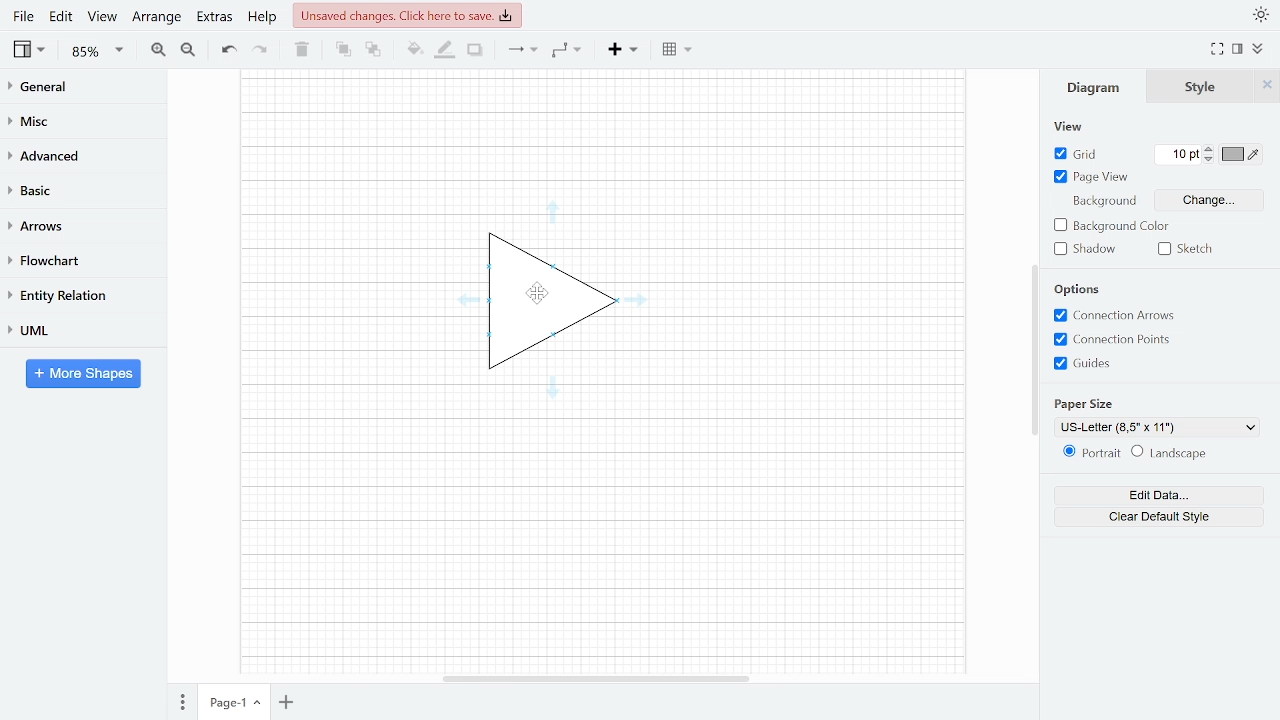  I want to click on To front, so click(343, 49).